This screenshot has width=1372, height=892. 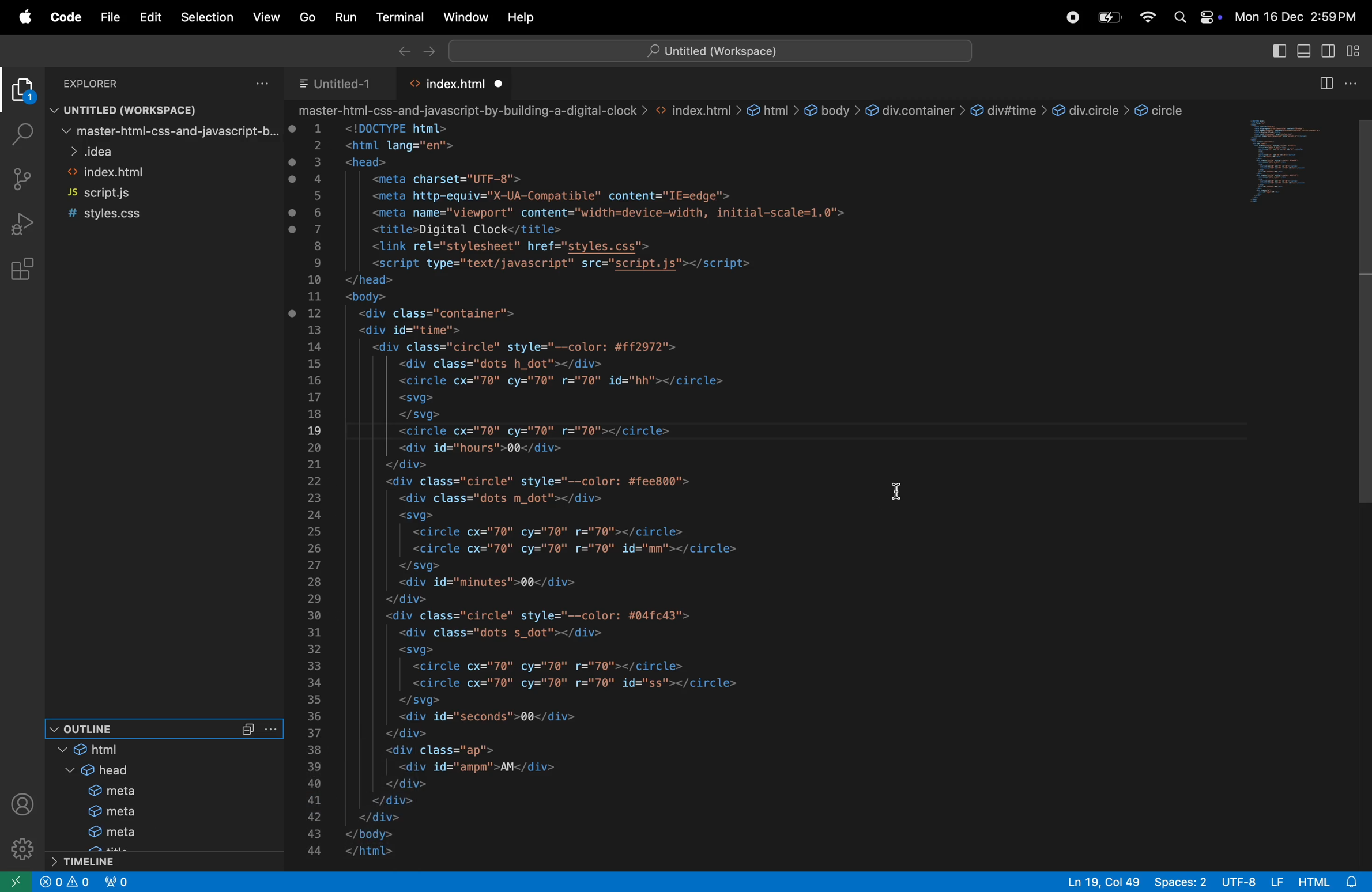 I want to click on meta, so click(x=127, y=814).